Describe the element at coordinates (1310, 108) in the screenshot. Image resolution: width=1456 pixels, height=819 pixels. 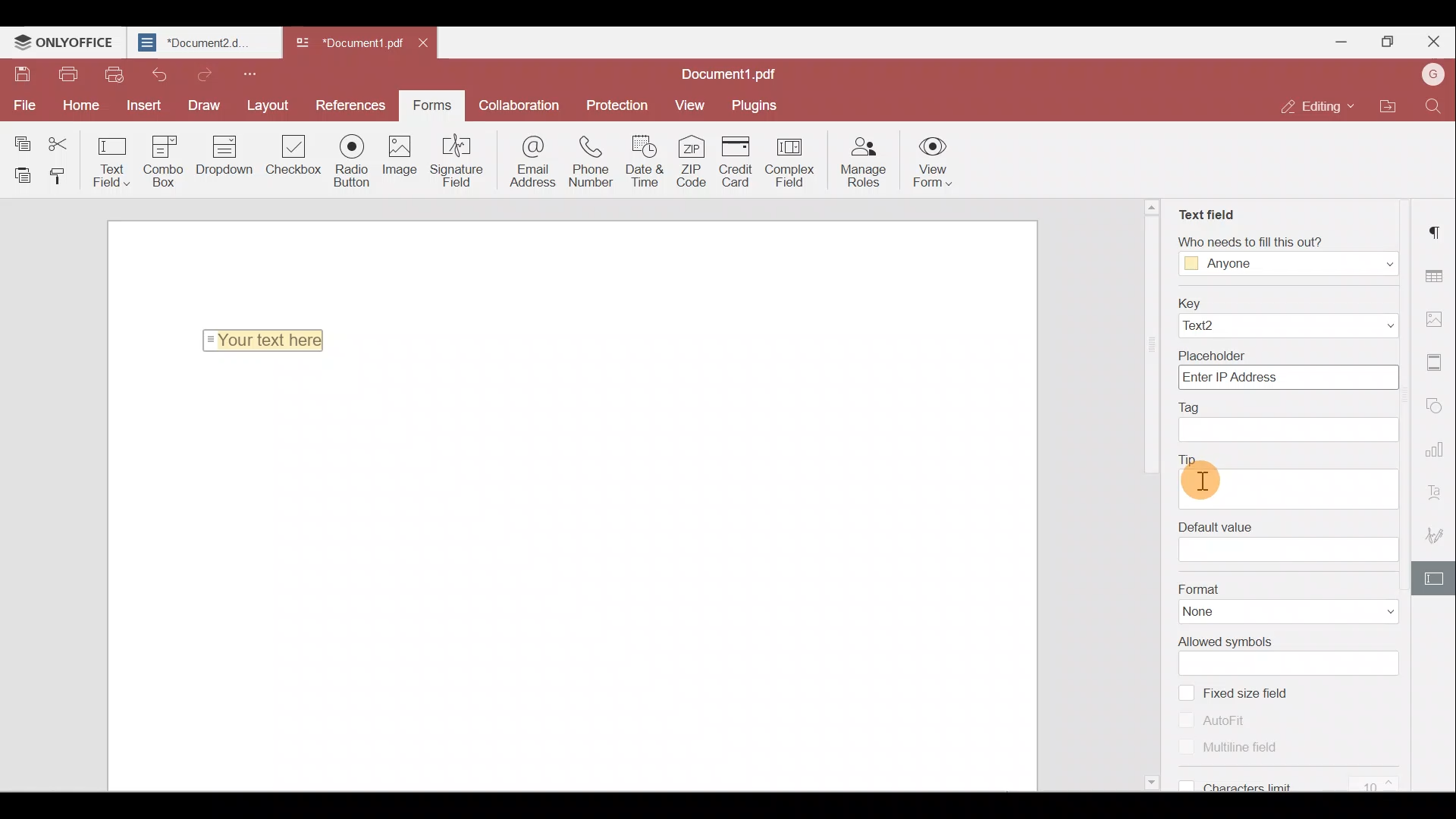
I see `Editing mode` at that location.